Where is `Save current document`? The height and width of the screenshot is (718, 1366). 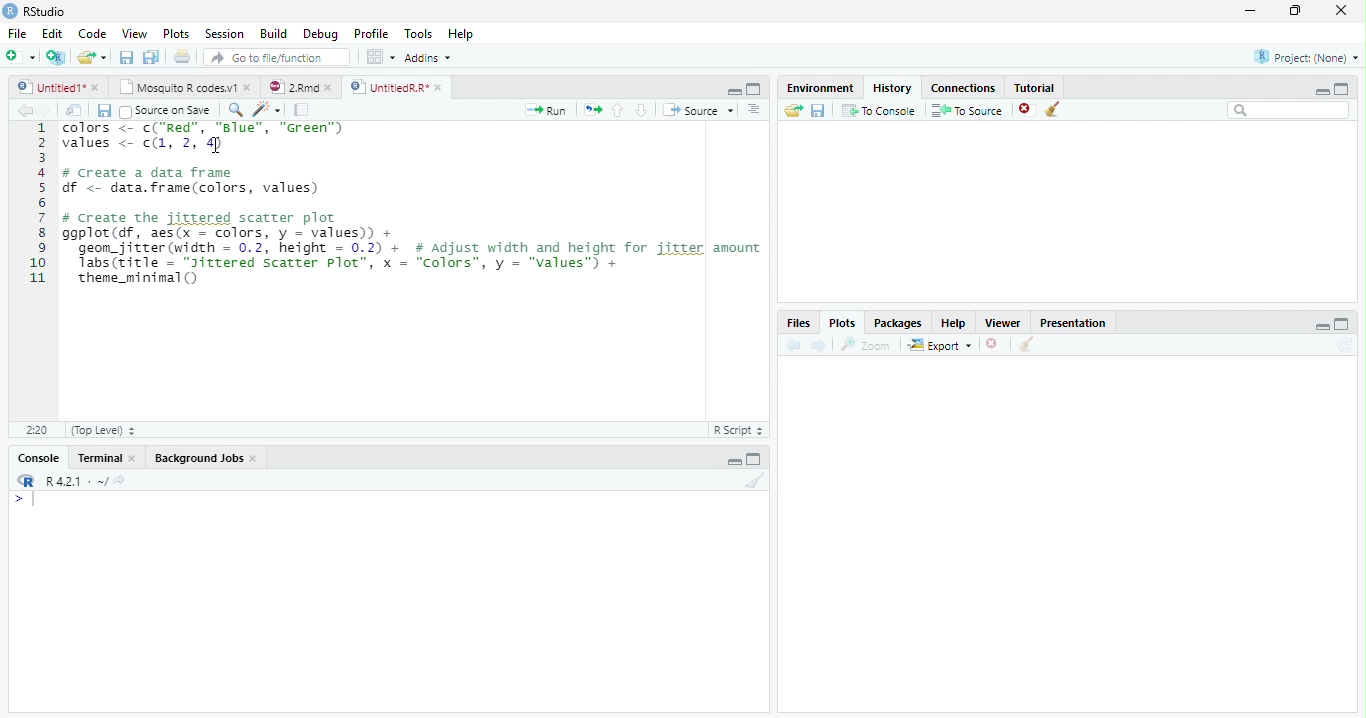
Save current document is located at coordinates (127, 57).